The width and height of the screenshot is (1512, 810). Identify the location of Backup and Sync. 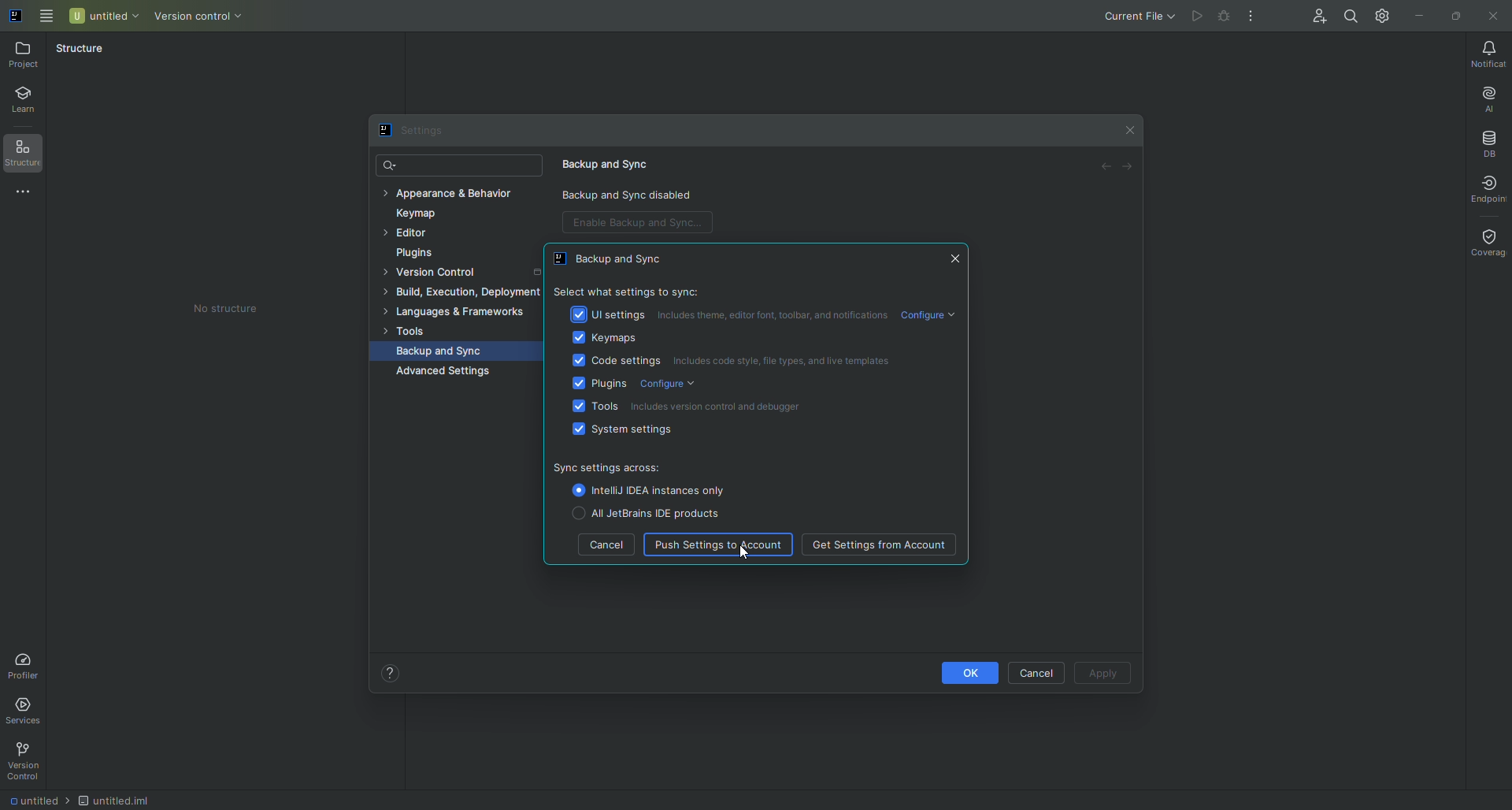
(447, 351).